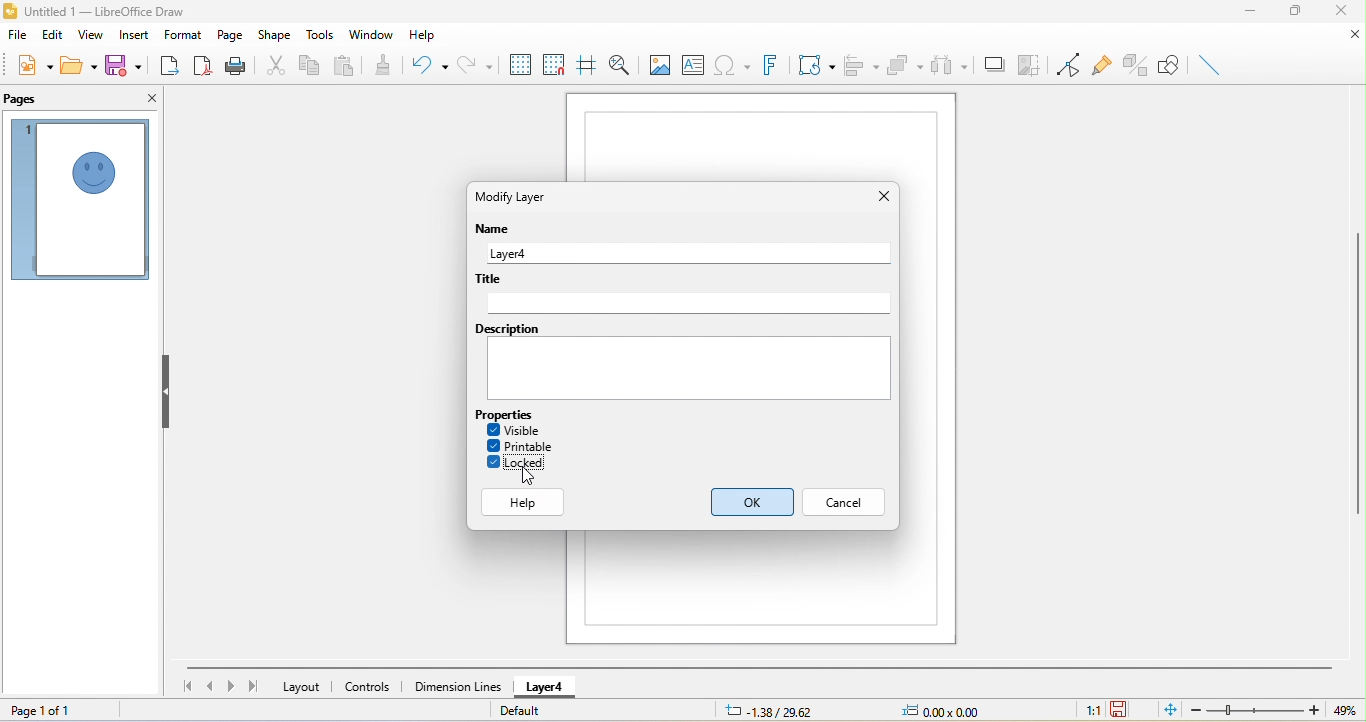  I want to click on snap to grids, so click(556, 68).